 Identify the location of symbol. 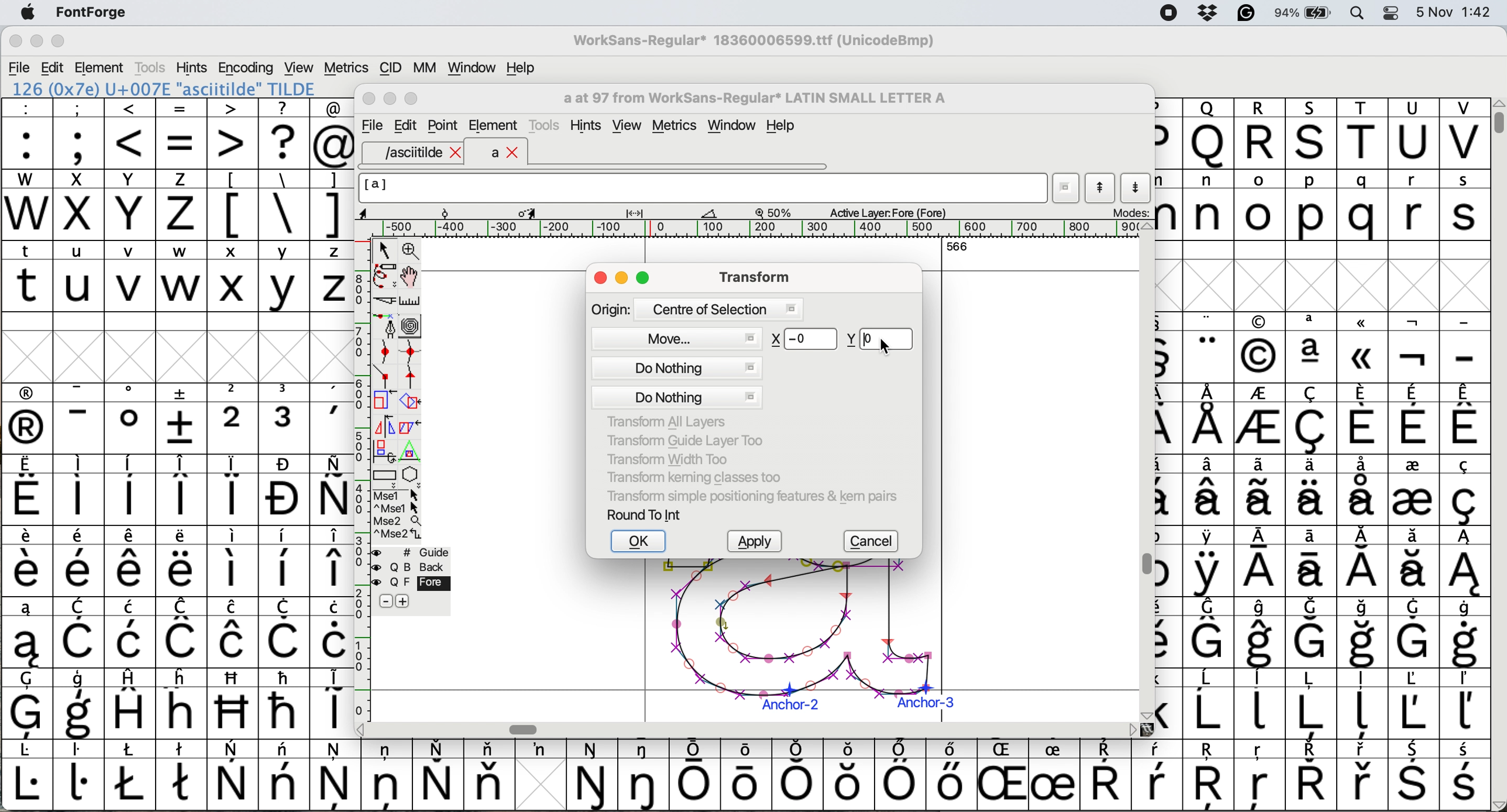
(78, 490).